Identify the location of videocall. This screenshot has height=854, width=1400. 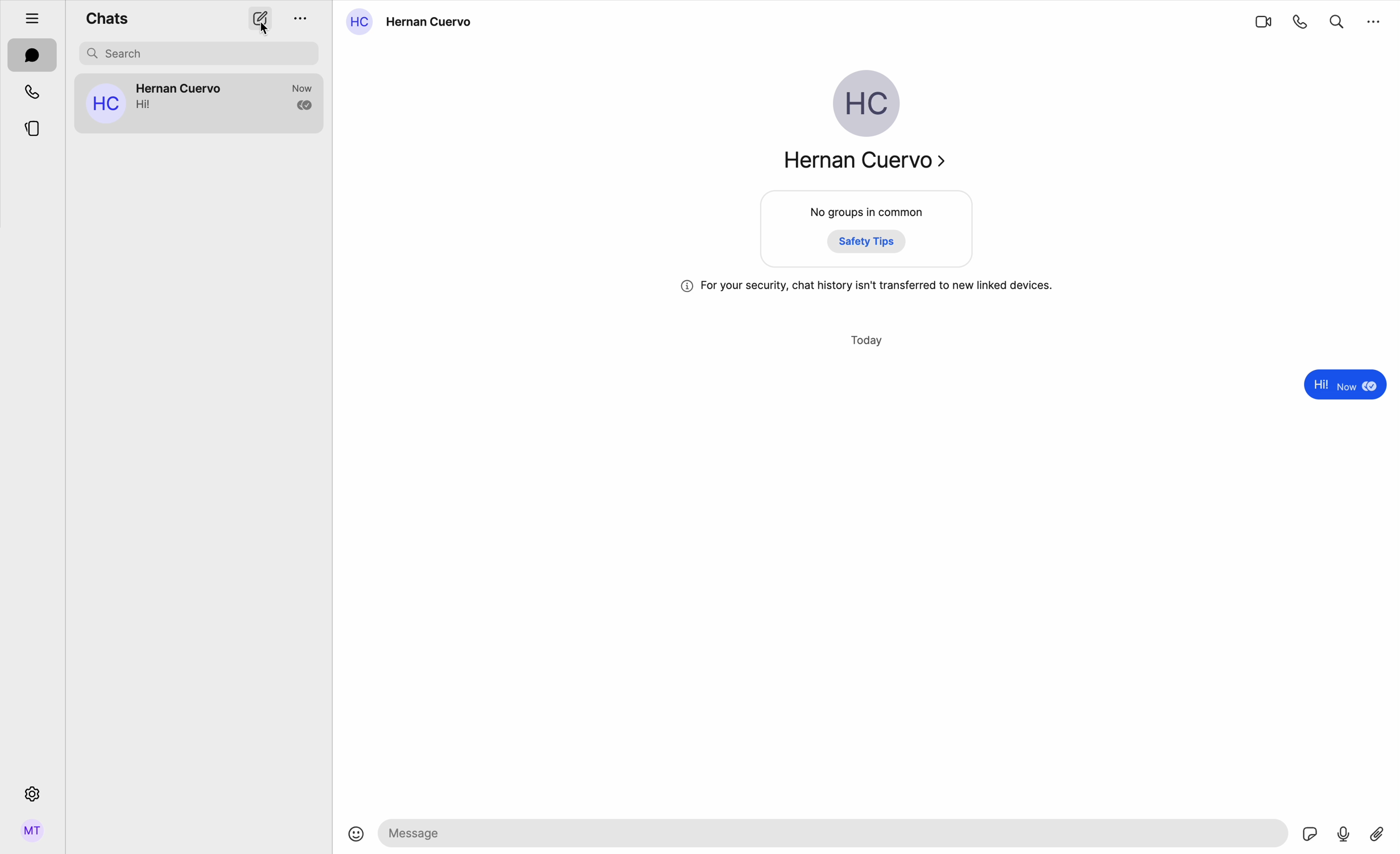
(1262, 21).